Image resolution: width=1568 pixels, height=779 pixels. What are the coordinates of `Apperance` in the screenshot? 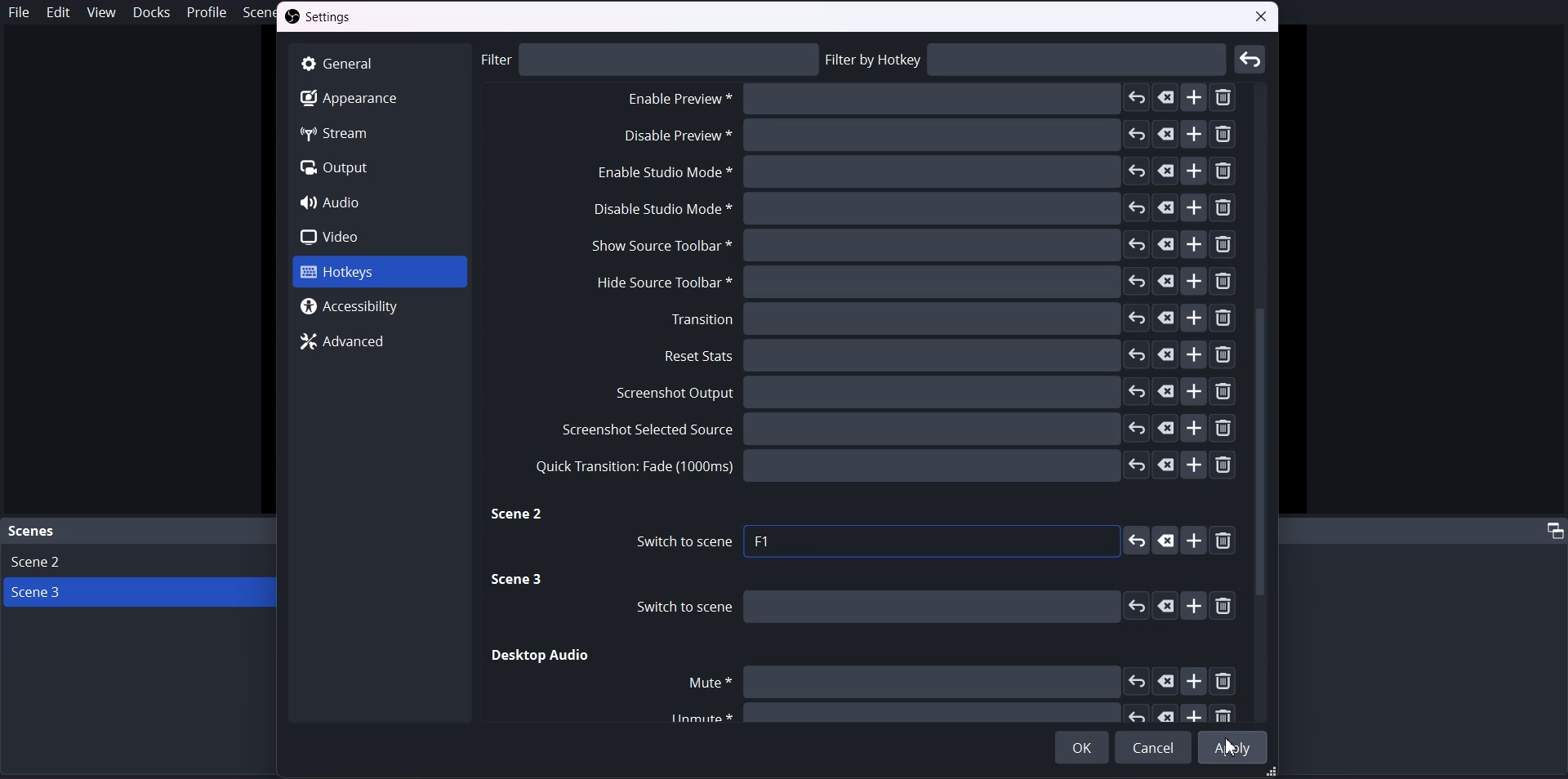 It's located at (377, 97).